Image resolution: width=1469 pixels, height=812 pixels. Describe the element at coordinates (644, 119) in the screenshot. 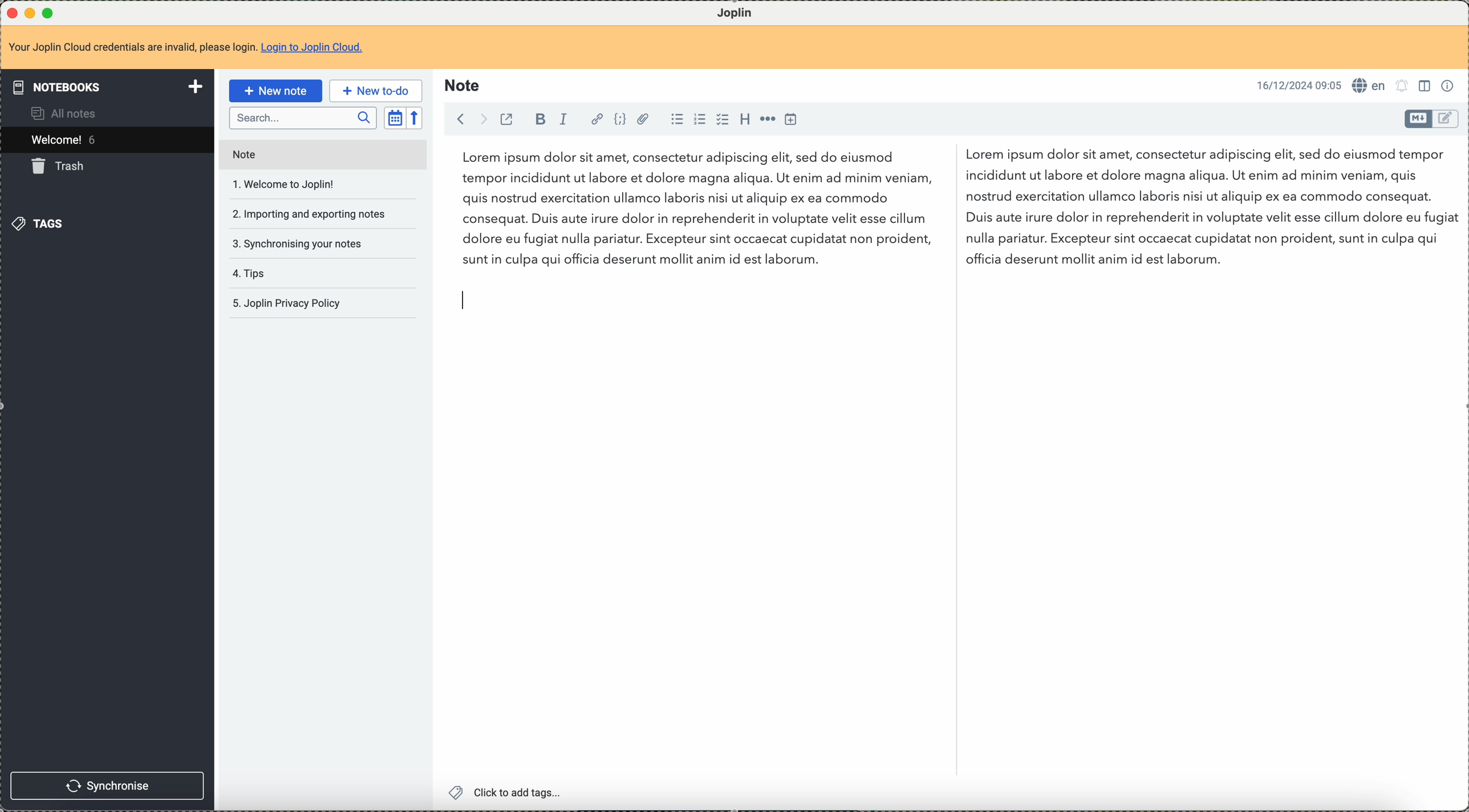

I see `attach file` at that location.